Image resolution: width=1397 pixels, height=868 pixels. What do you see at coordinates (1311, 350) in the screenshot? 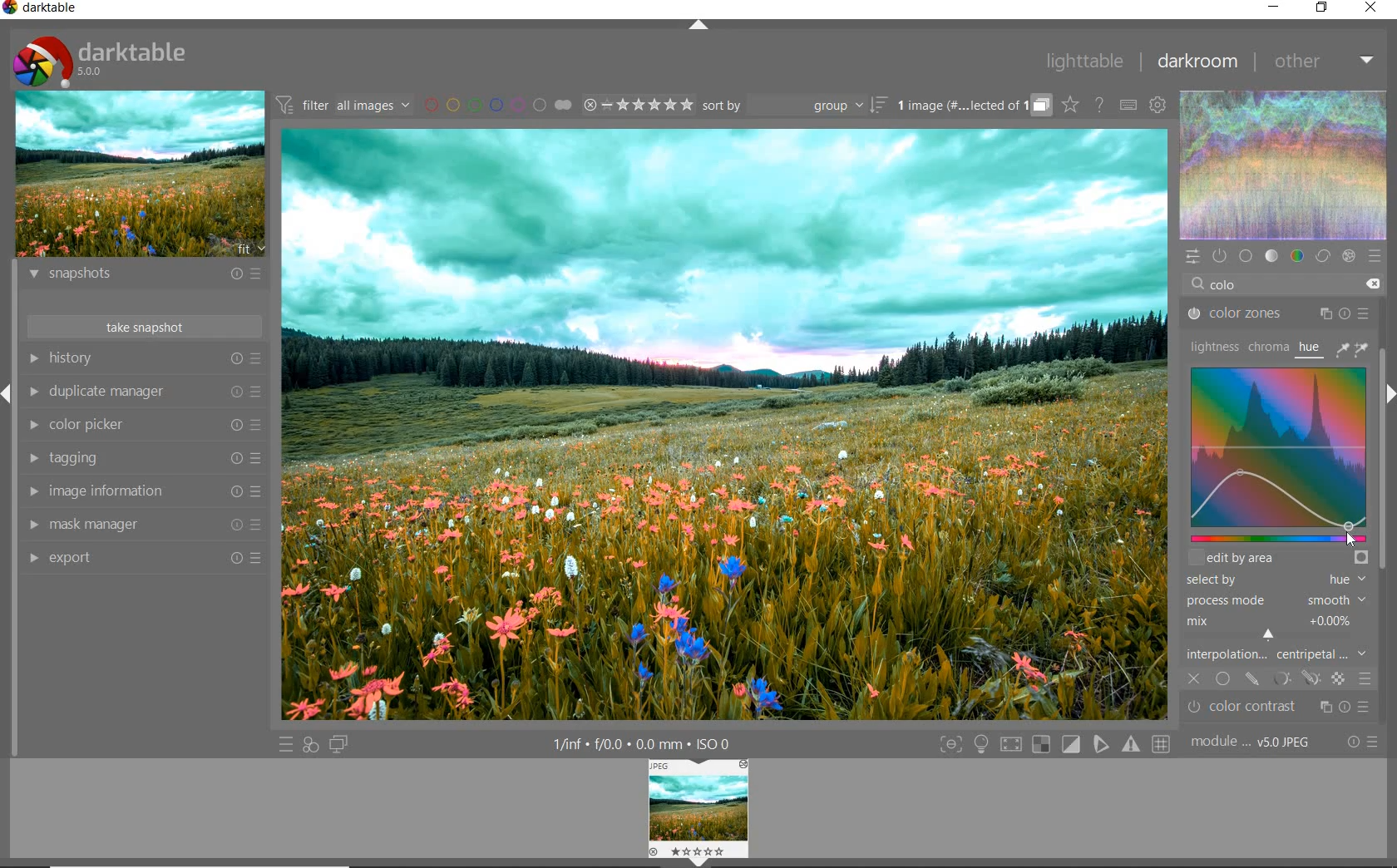
I see `hue` at bounding box center [1311, 350].